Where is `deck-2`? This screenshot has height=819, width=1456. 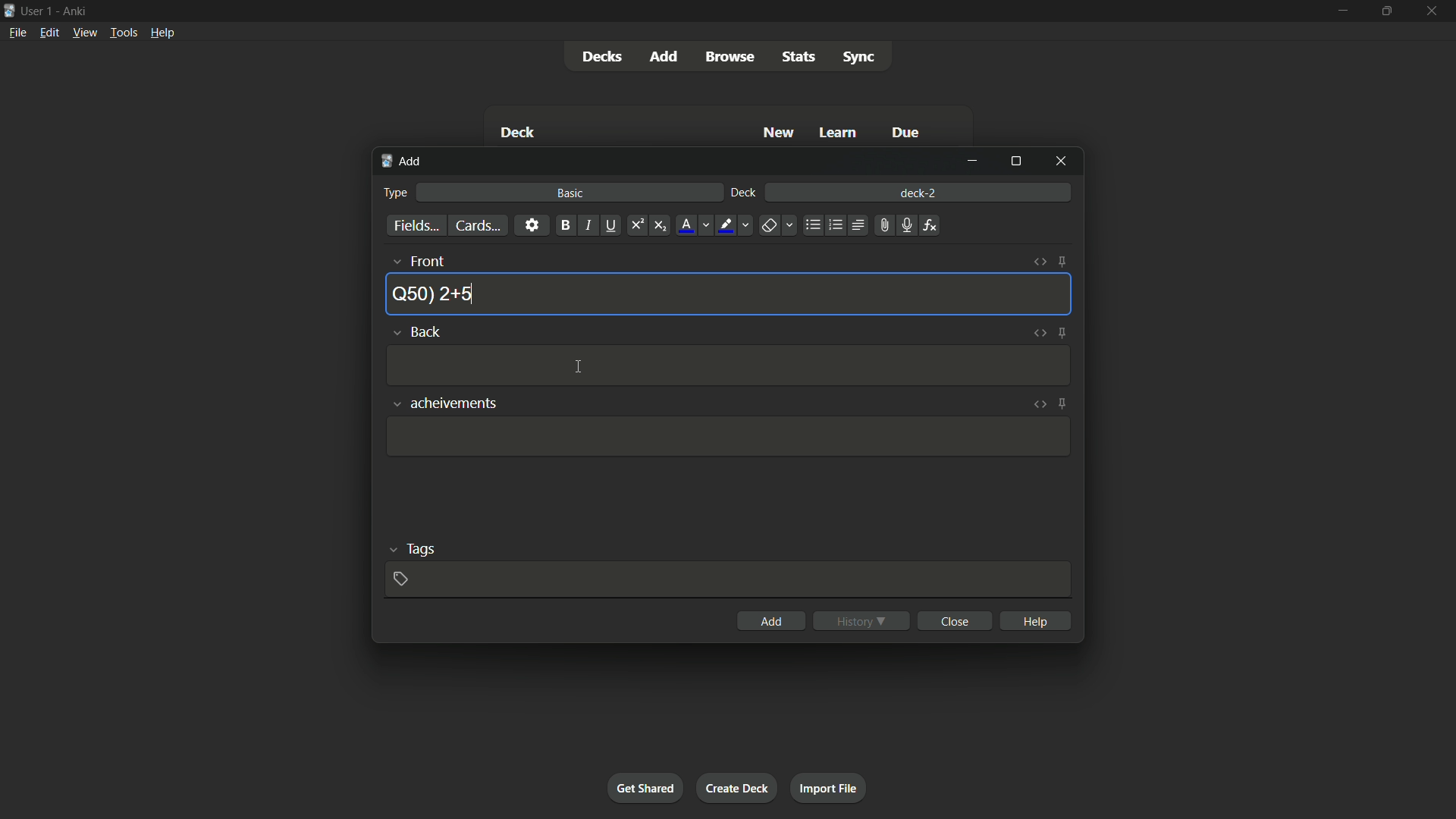 deck-2 is located at coordinates (920, 192).